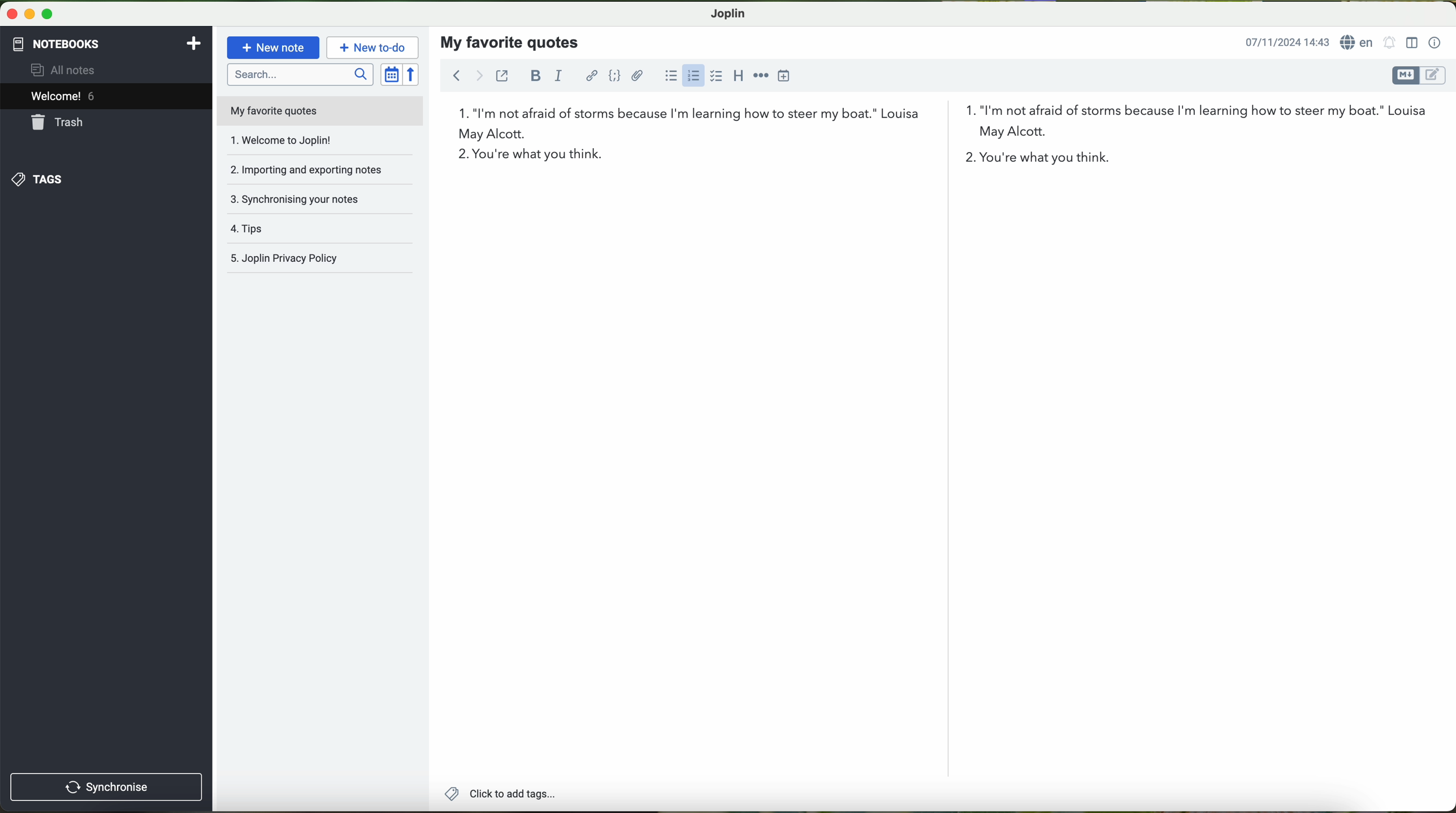 The height and width of the screenshot is (813, 1456). I want to click on tags, so click(106, 179).